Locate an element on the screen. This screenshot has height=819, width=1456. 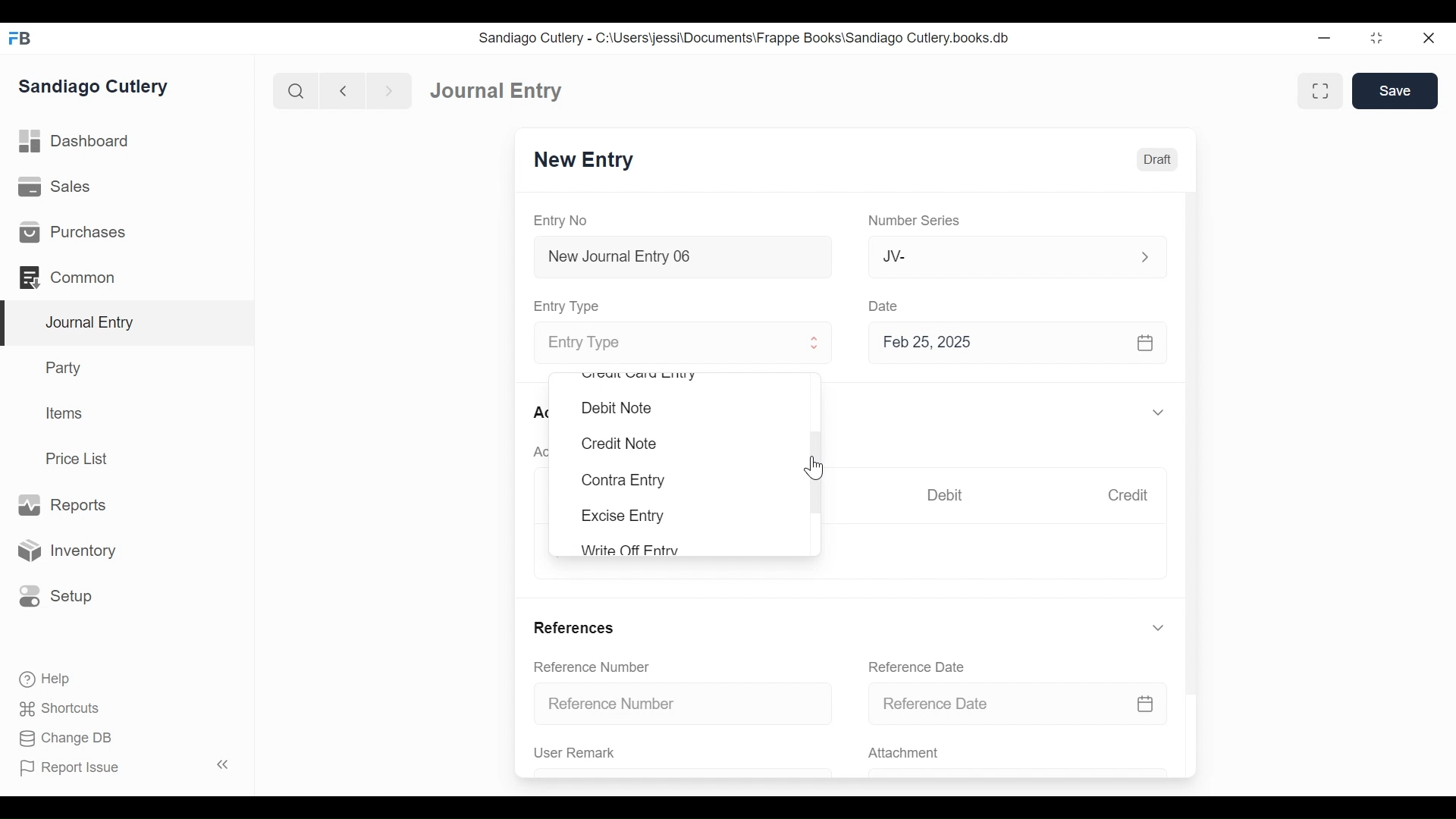
Close is located at coordinates (1431, 37).